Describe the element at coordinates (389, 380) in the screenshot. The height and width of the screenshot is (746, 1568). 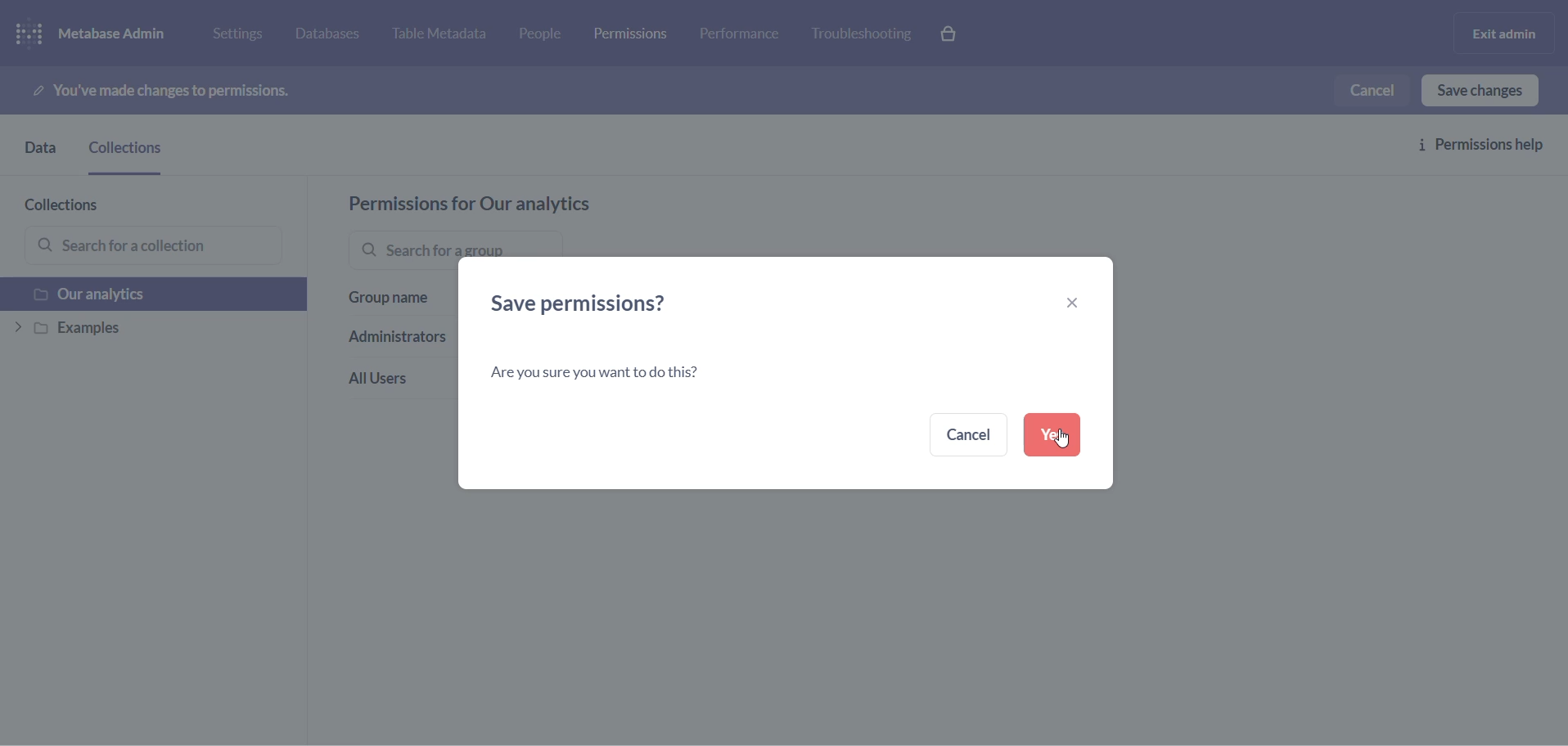
I see `all users group` at that location.